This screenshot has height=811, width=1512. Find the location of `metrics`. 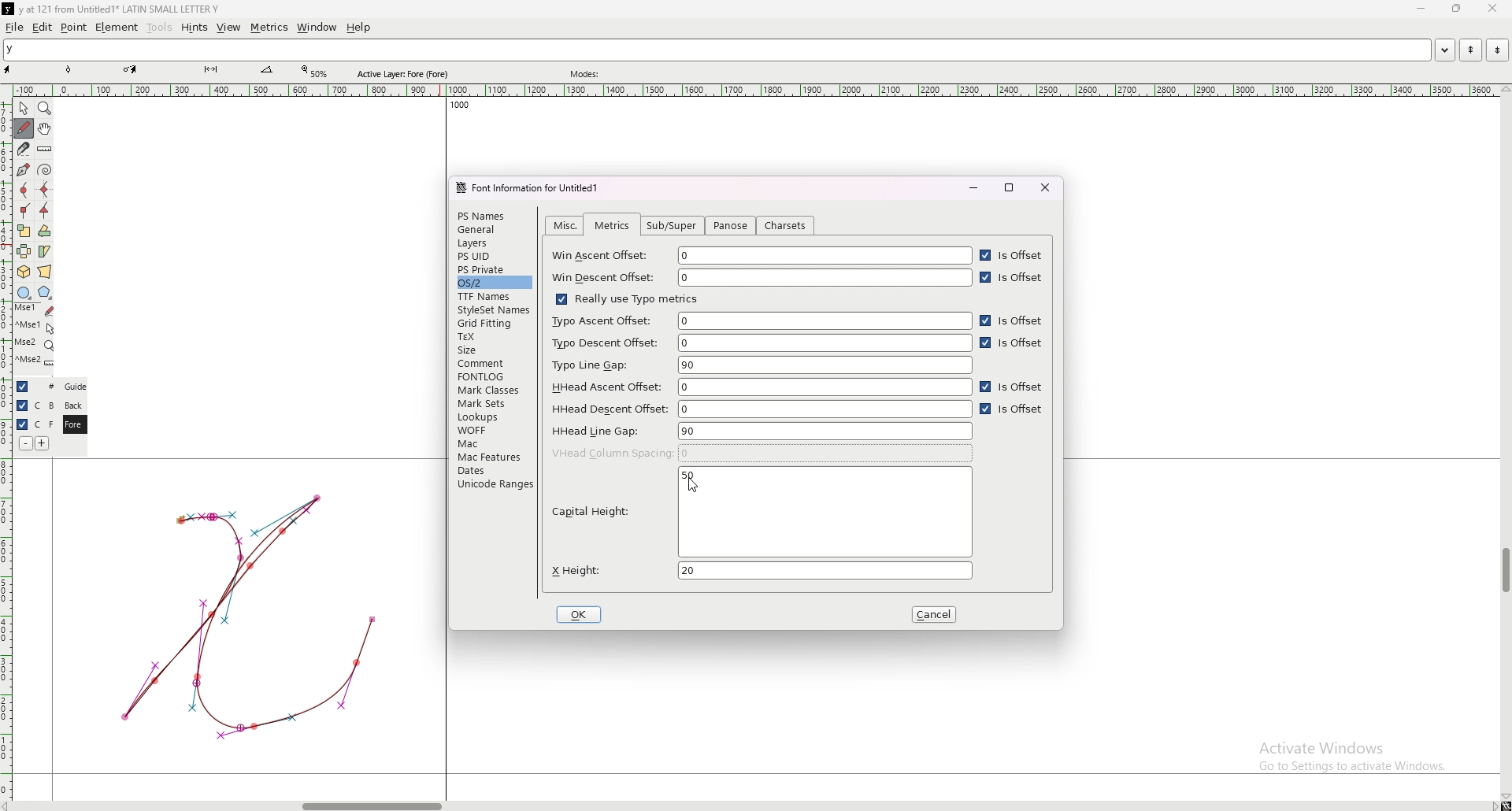

metrics is located at coordinates (612, 226).